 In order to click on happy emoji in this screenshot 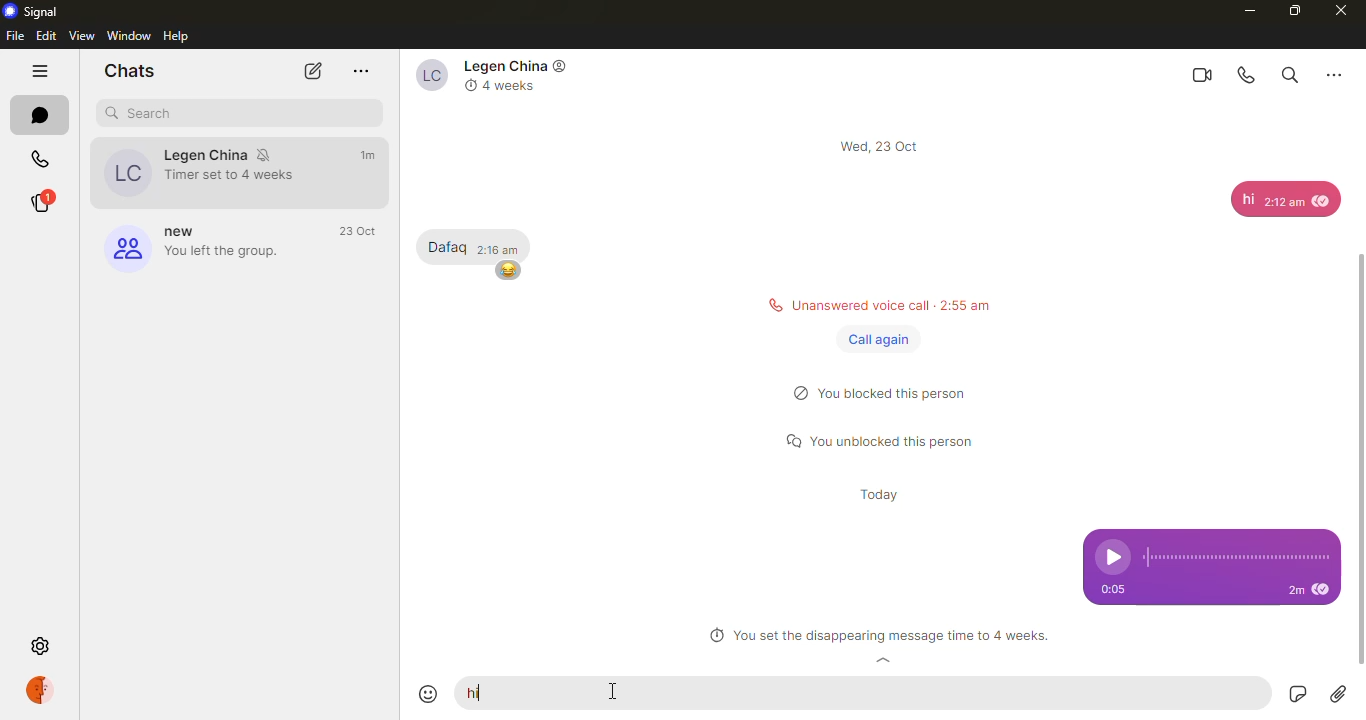, I will do `click(508, 270)`.